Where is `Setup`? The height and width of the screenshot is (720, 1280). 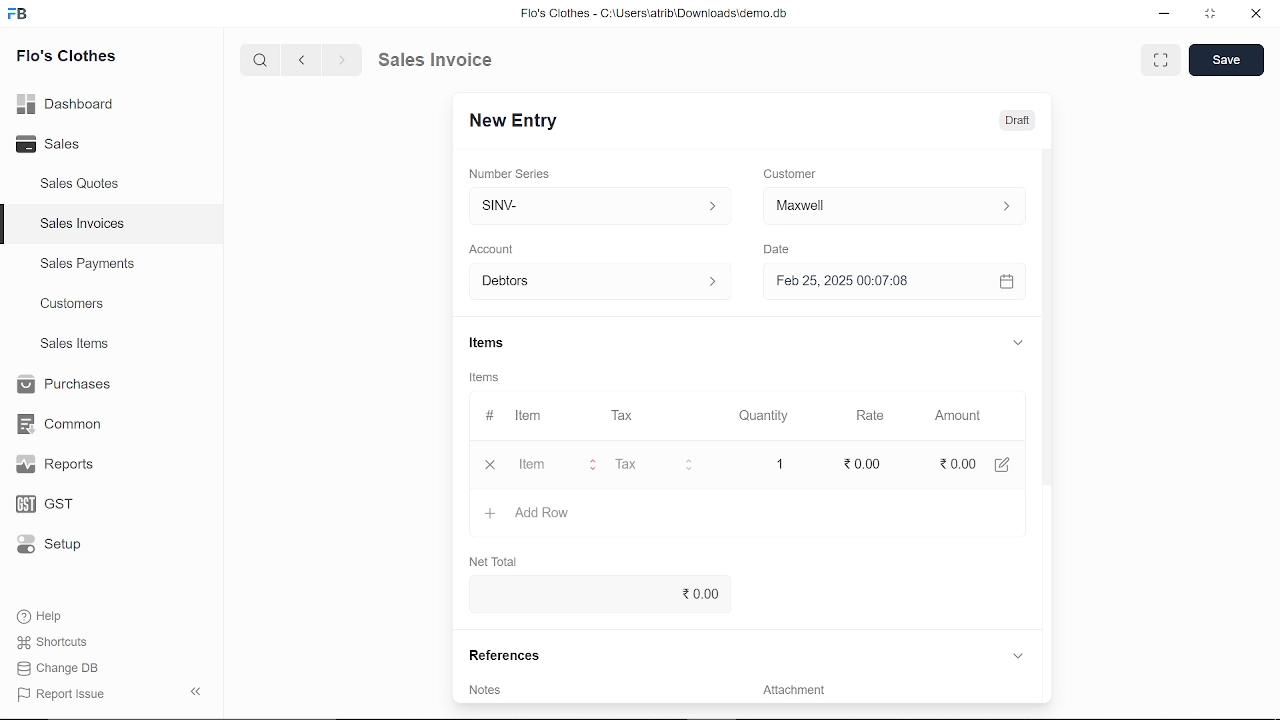 Setup is located at coordinates (54, 544).